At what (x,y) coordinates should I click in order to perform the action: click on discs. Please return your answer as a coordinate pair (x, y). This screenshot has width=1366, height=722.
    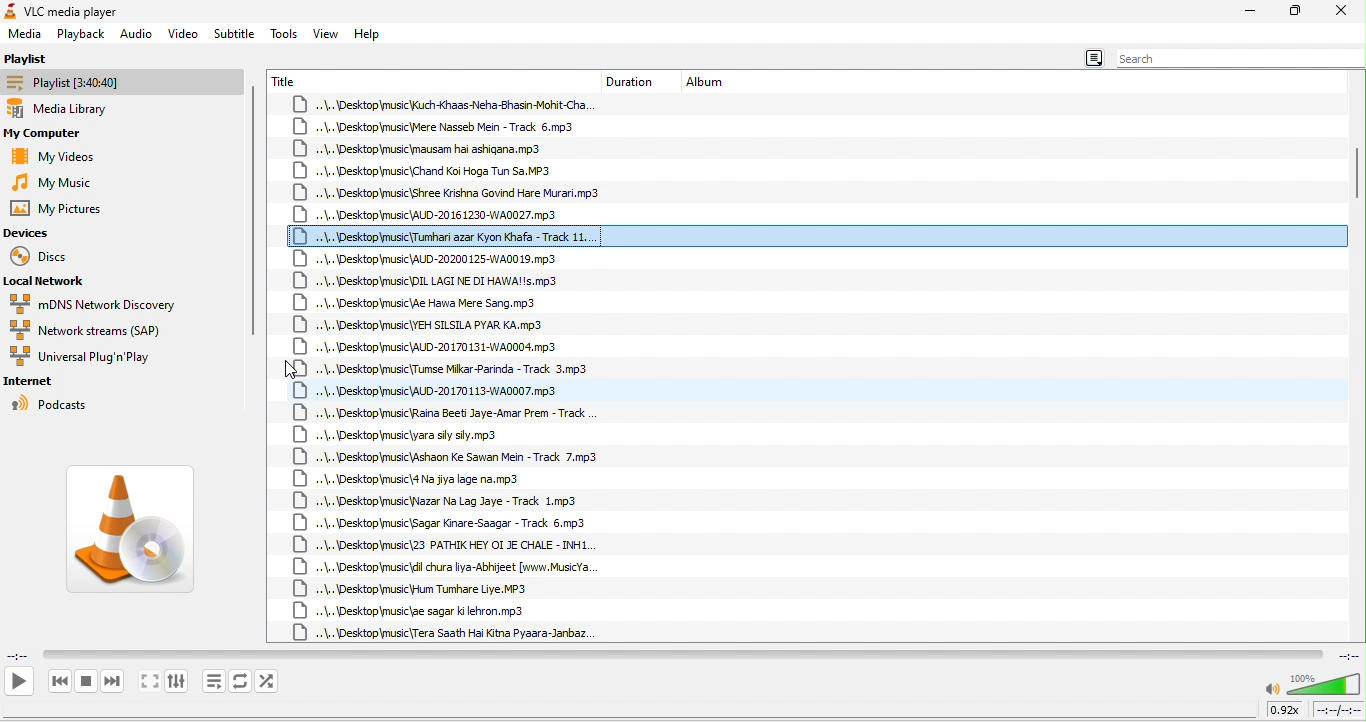
    Looking at the image, I should click on (55, 255).